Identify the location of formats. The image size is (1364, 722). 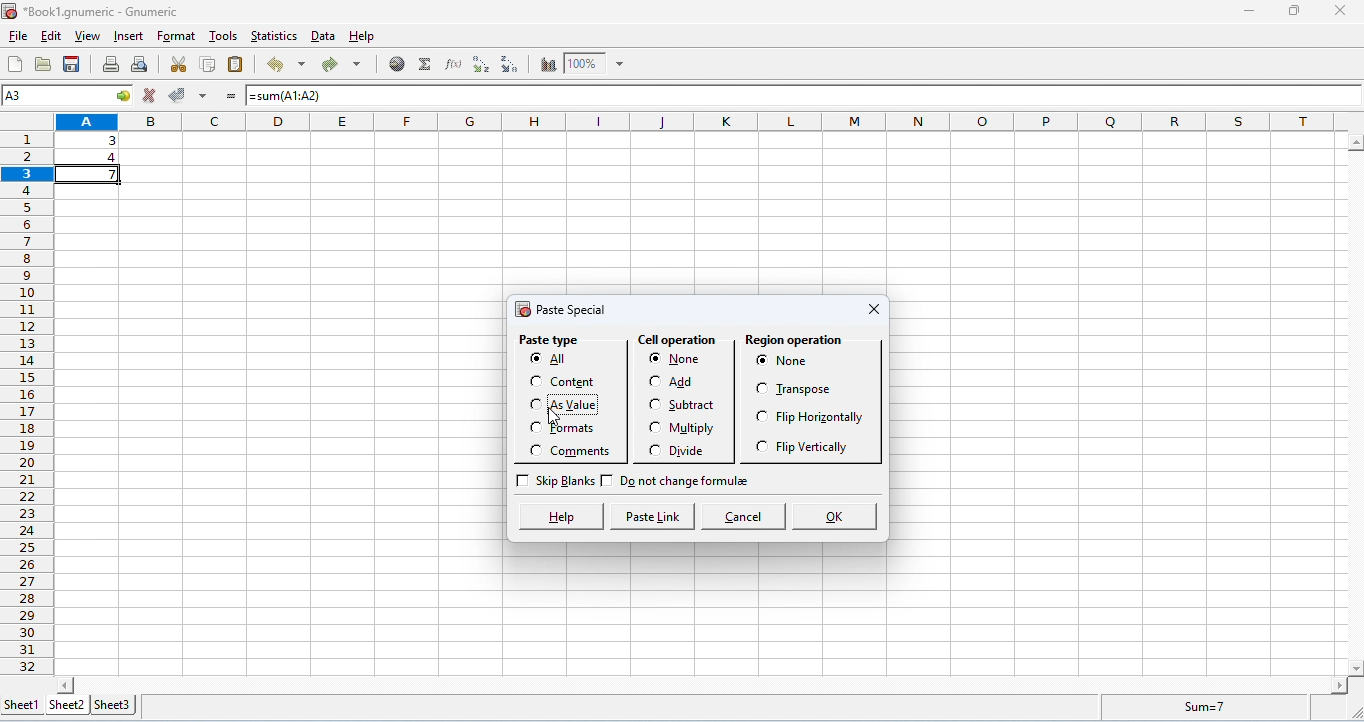
(580, 431).